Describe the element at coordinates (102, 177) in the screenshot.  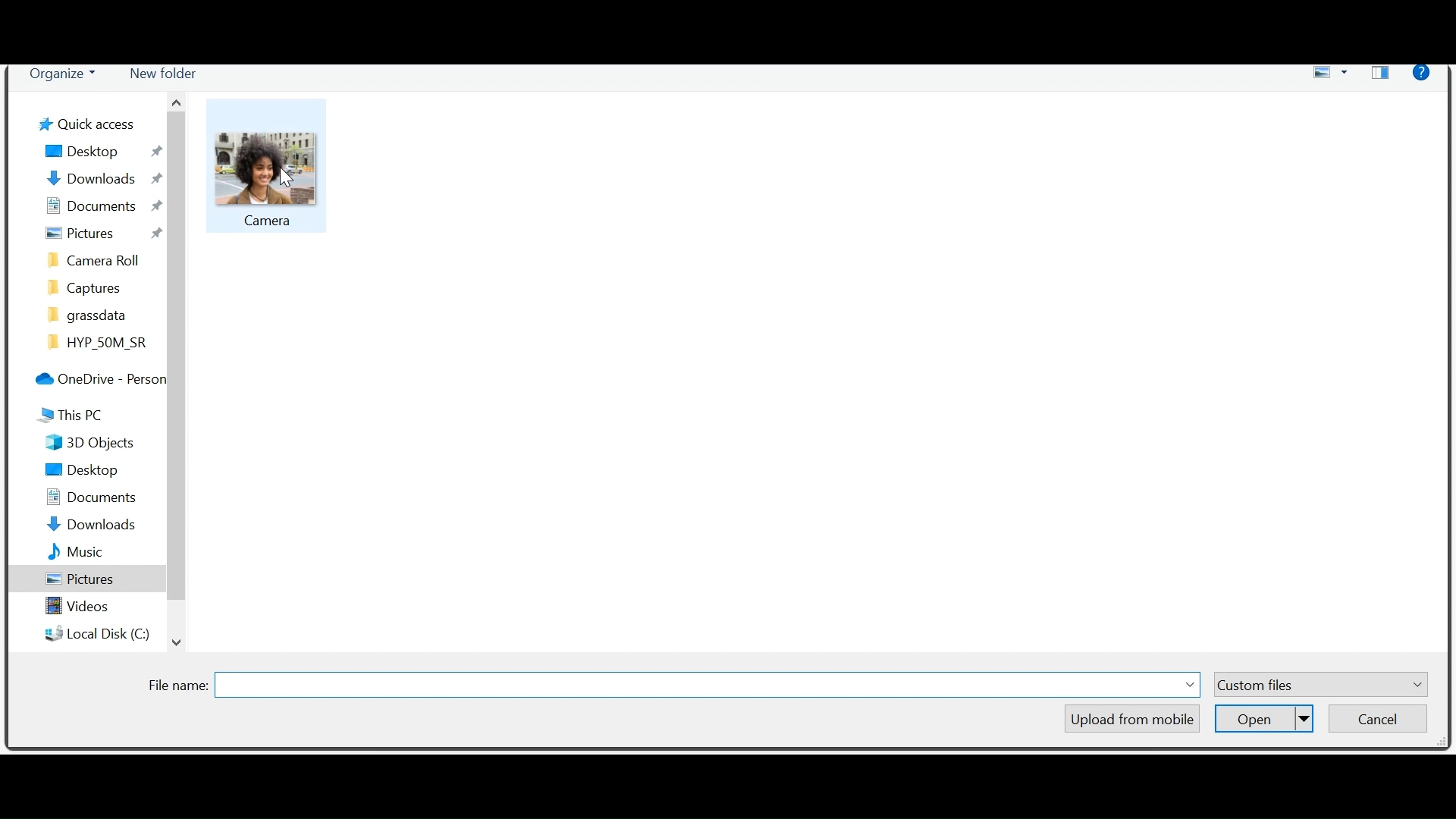
I see `Downloads` at that location.